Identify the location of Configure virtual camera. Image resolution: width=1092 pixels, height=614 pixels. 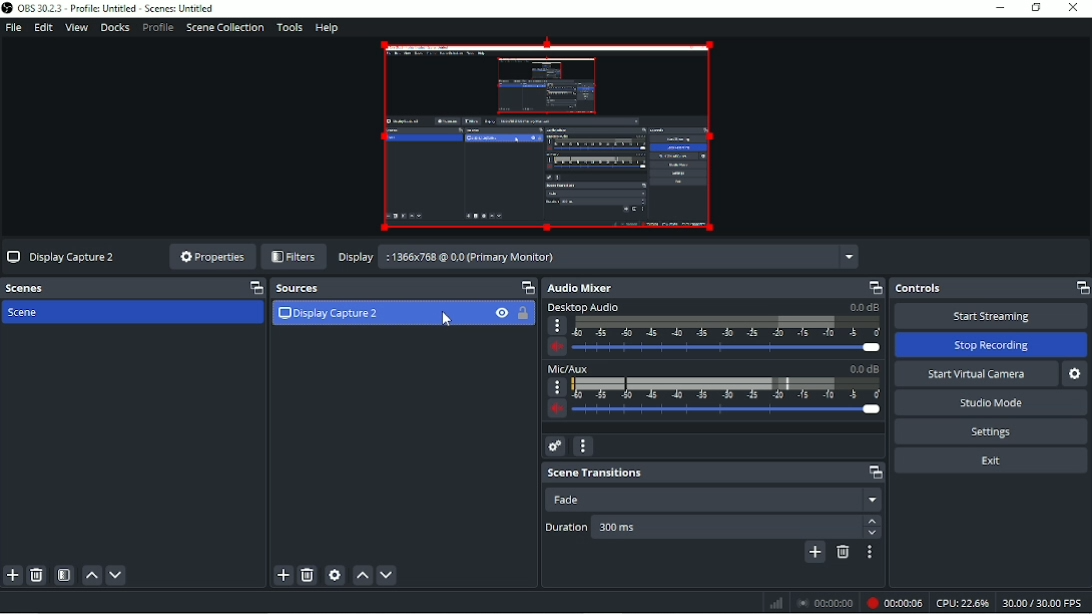
(1077, 374).